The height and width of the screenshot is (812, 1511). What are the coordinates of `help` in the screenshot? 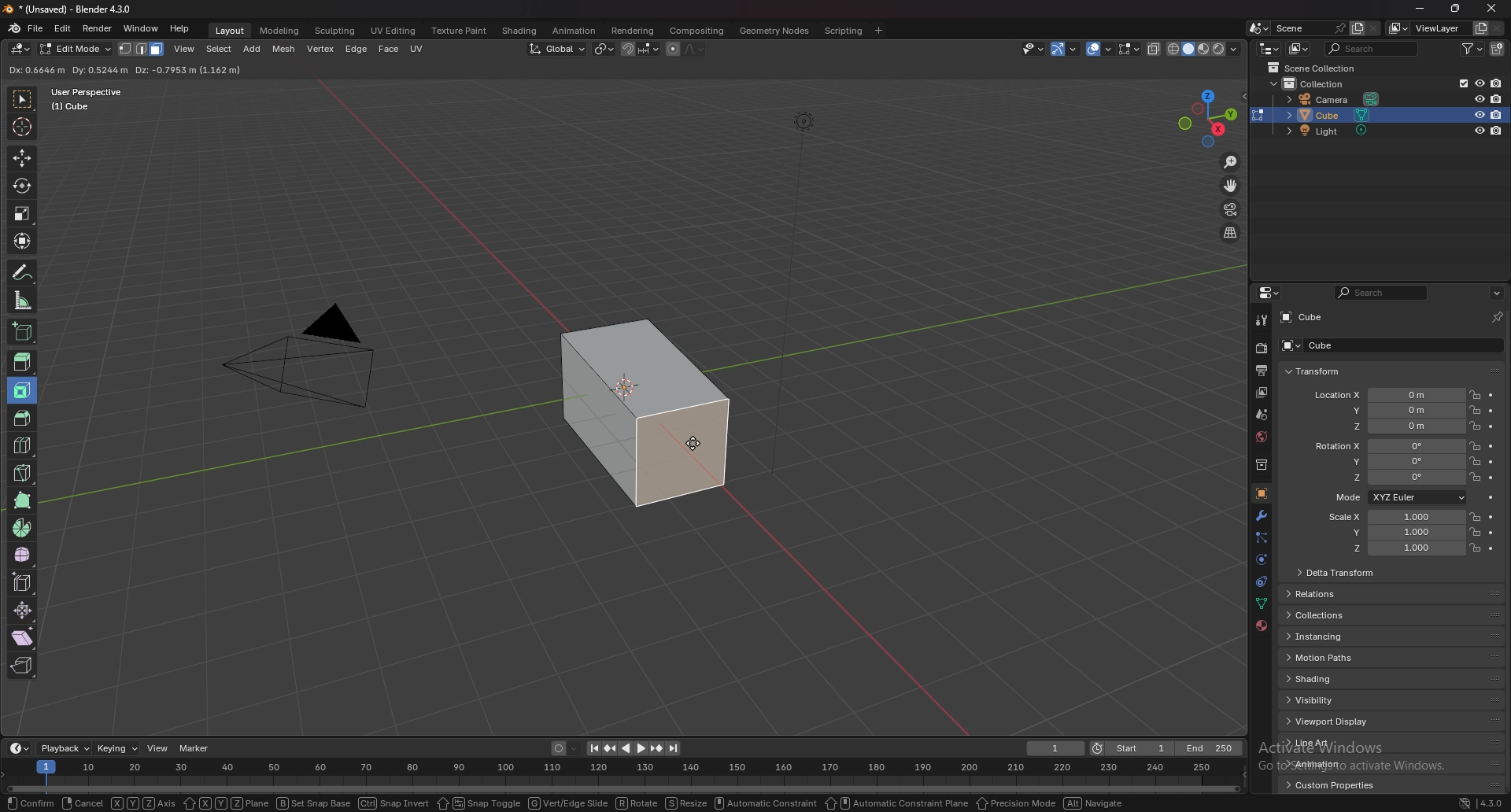 It's located at (180, 28).